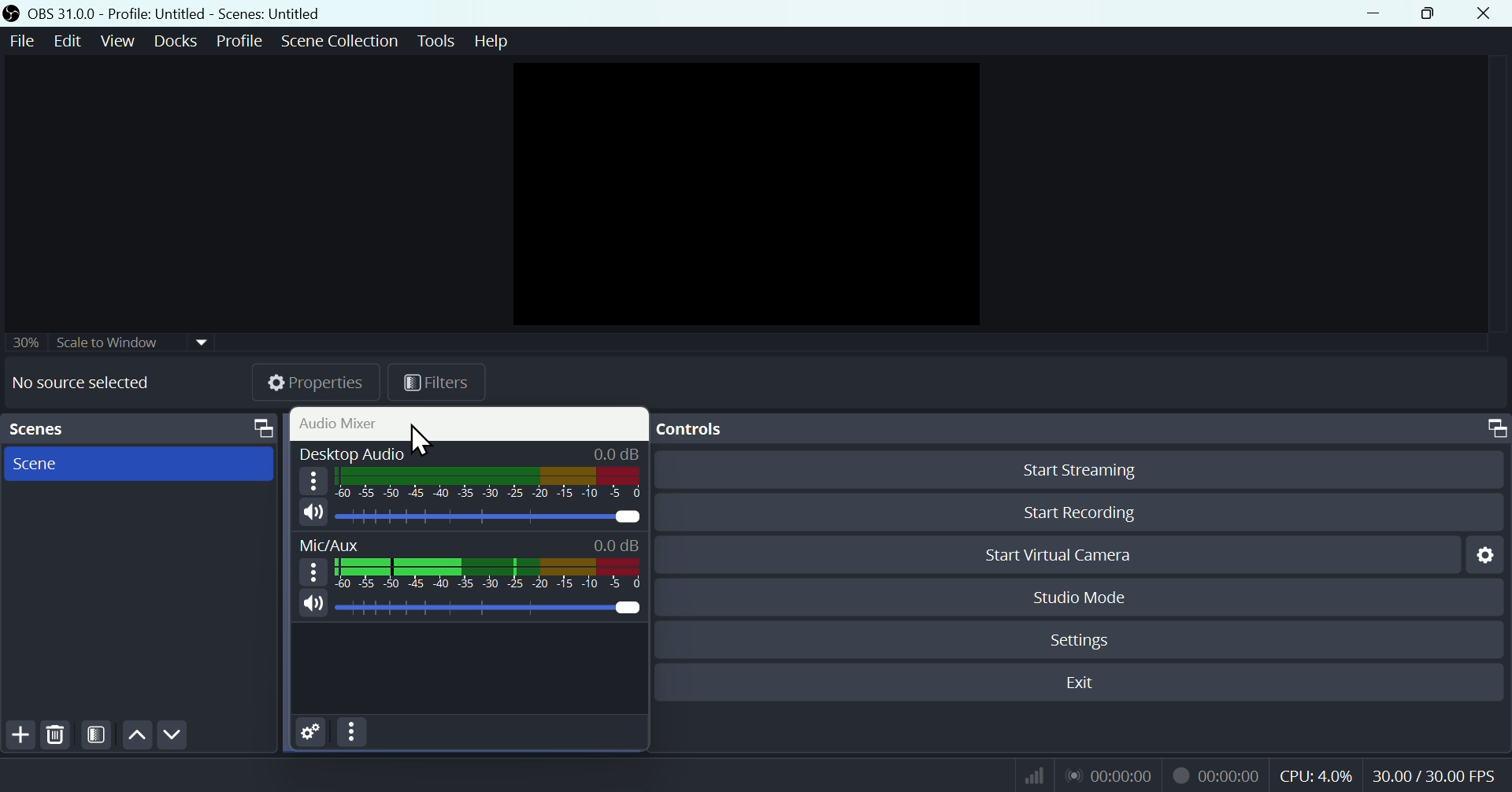 The image size is (1512, 792). Describe the element at coordinates (113, 345) in the screenshot. I see `30% Scale to window` at that location.